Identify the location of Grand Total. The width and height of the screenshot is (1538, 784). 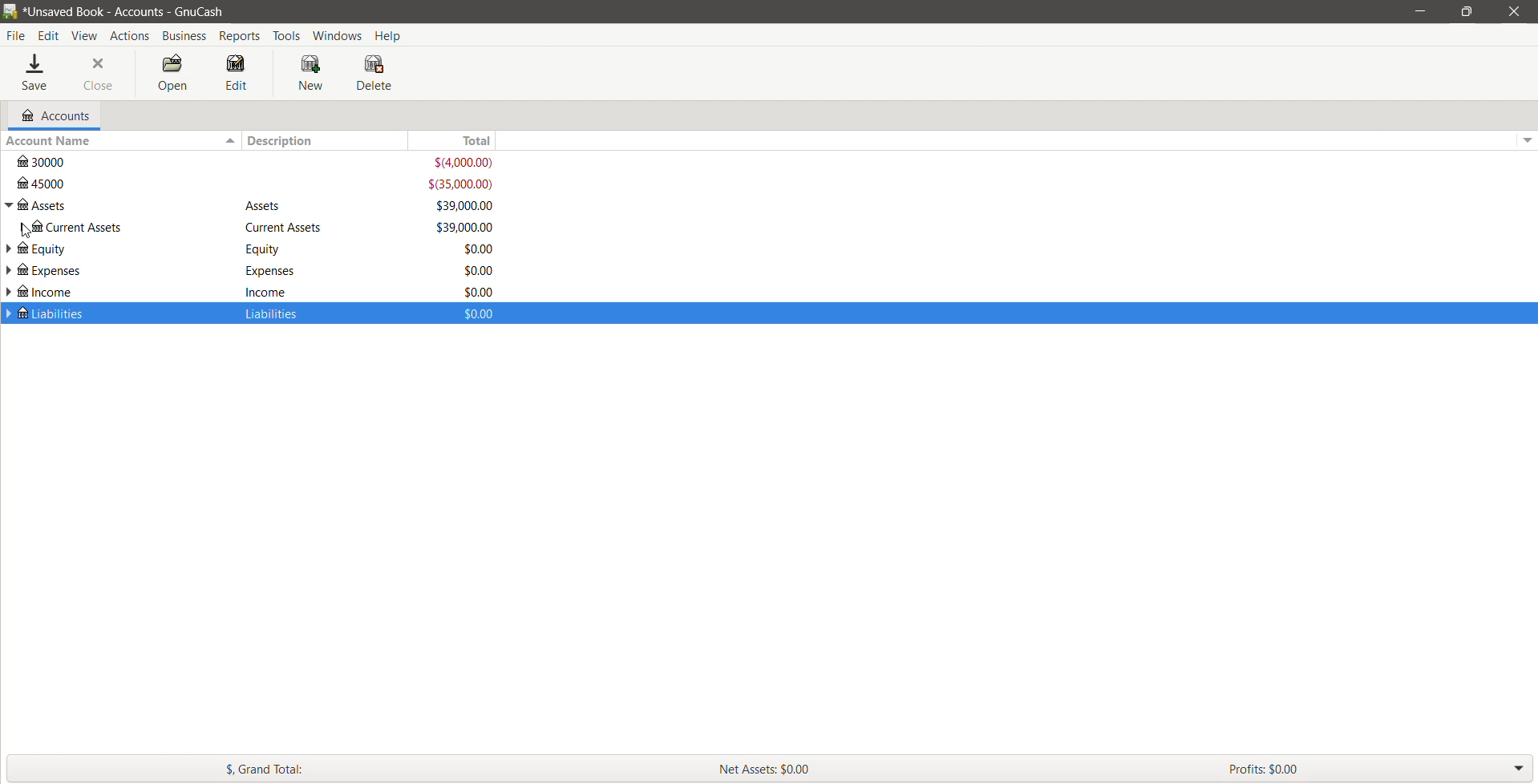
(344, 770).